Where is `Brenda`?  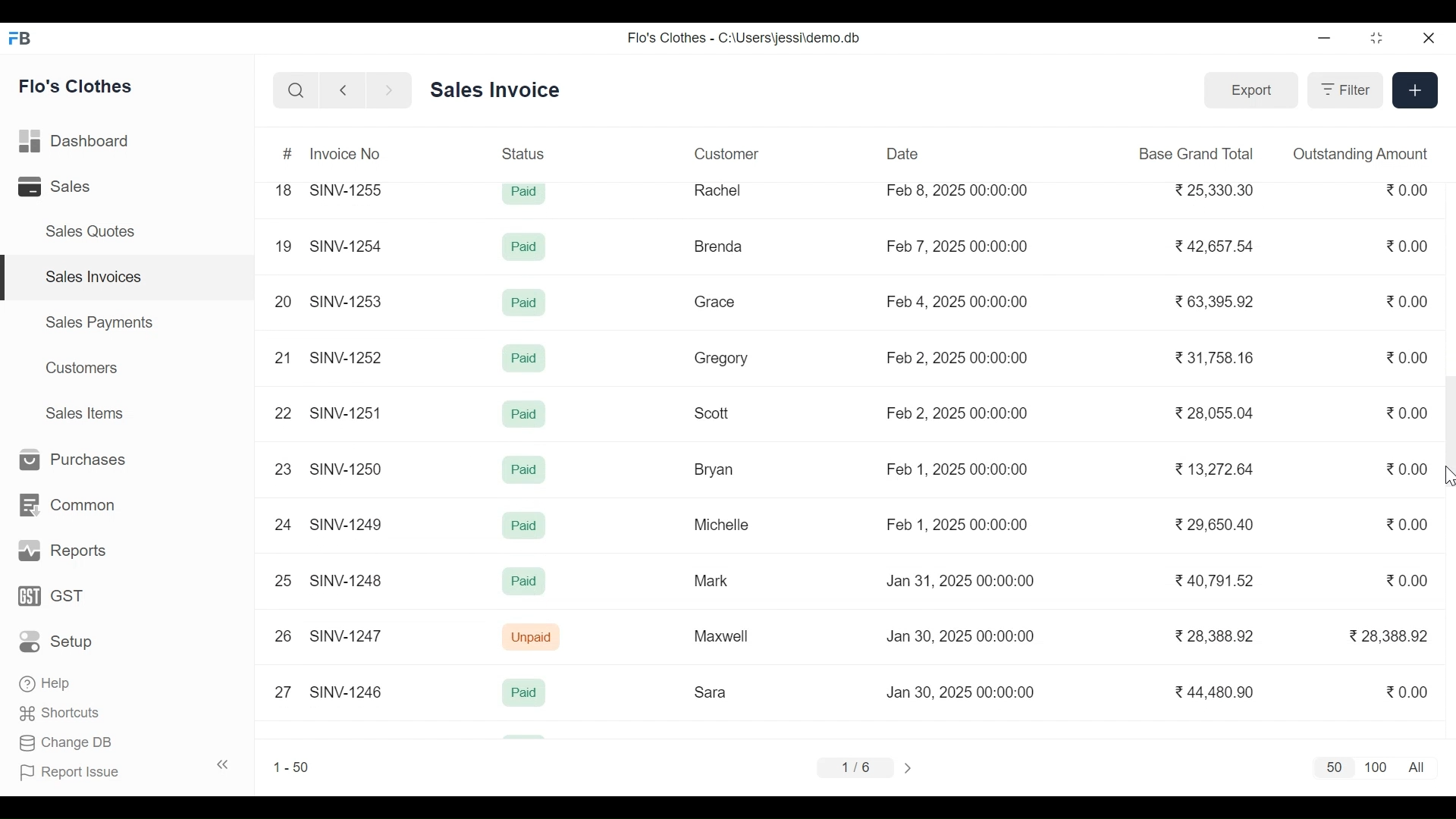
Brenda is located at coordinates (717, 246).